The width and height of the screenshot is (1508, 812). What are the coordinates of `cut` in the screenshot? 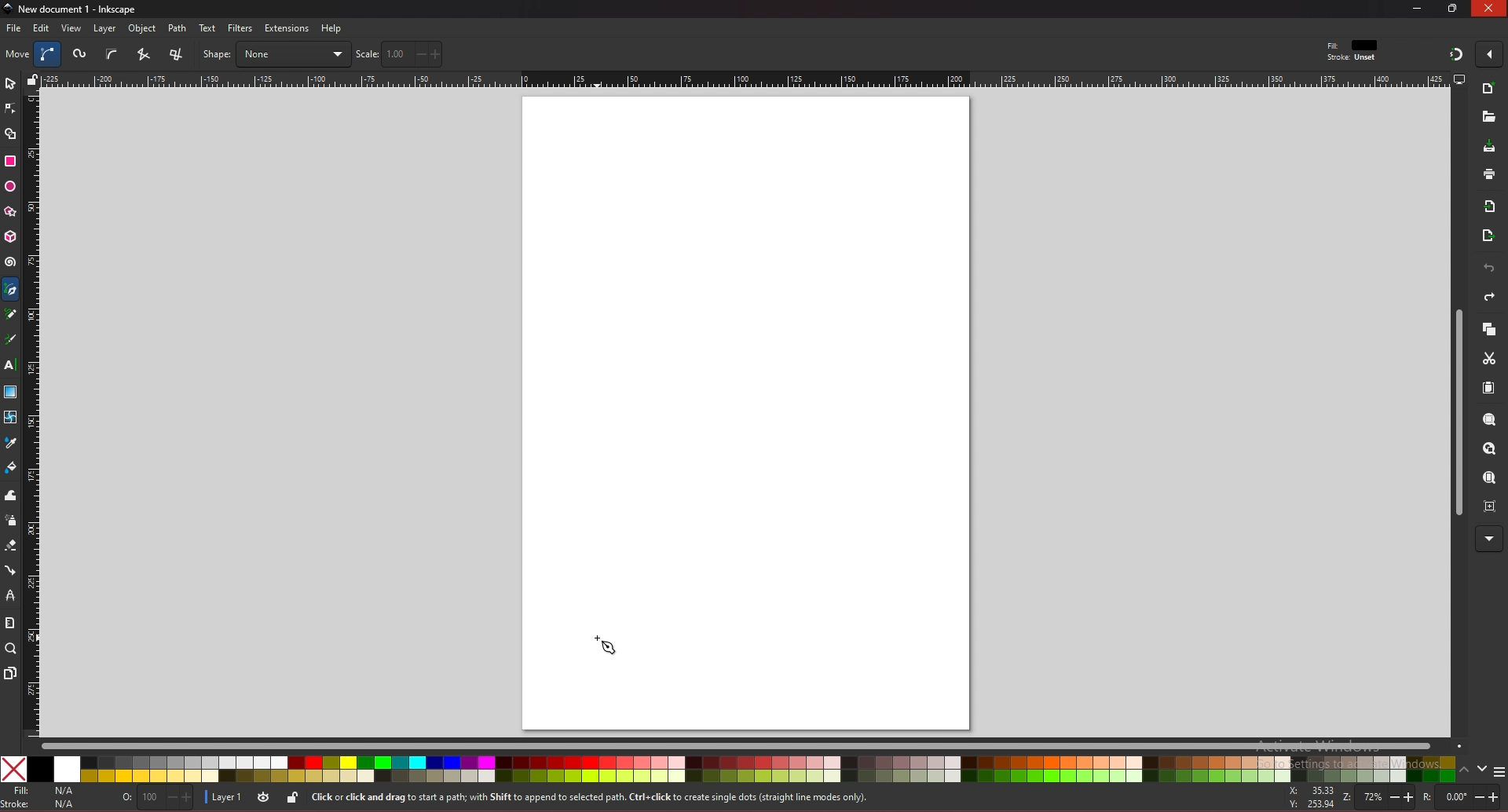 It's located at (1489, 359).